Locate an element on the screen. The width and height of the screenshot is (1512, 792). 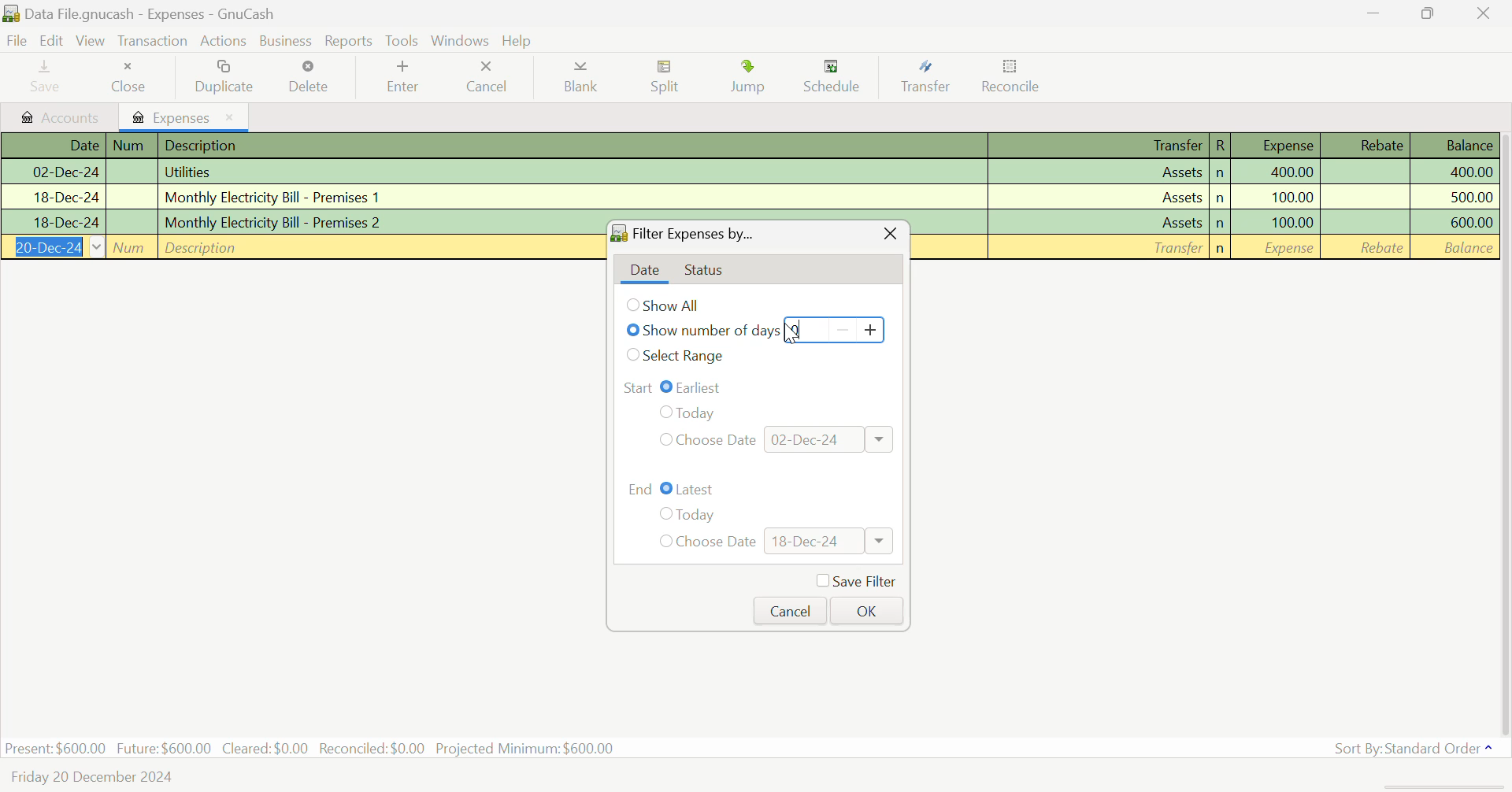
Duplicate is located at coordinates (224, 76).